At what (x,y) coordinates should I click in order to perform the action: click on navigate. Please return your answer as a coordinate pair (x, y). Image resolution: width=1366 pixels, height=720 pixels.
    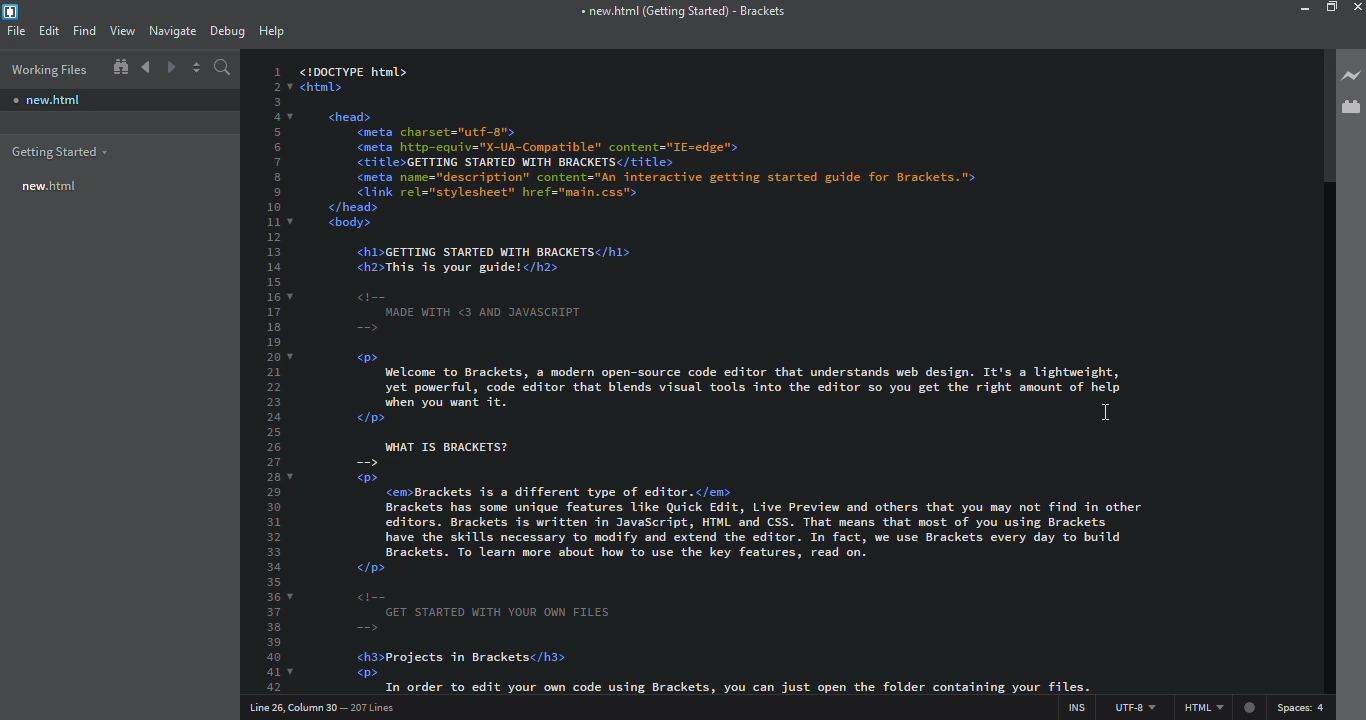
    Looking at the image, I should click on (171, 28).